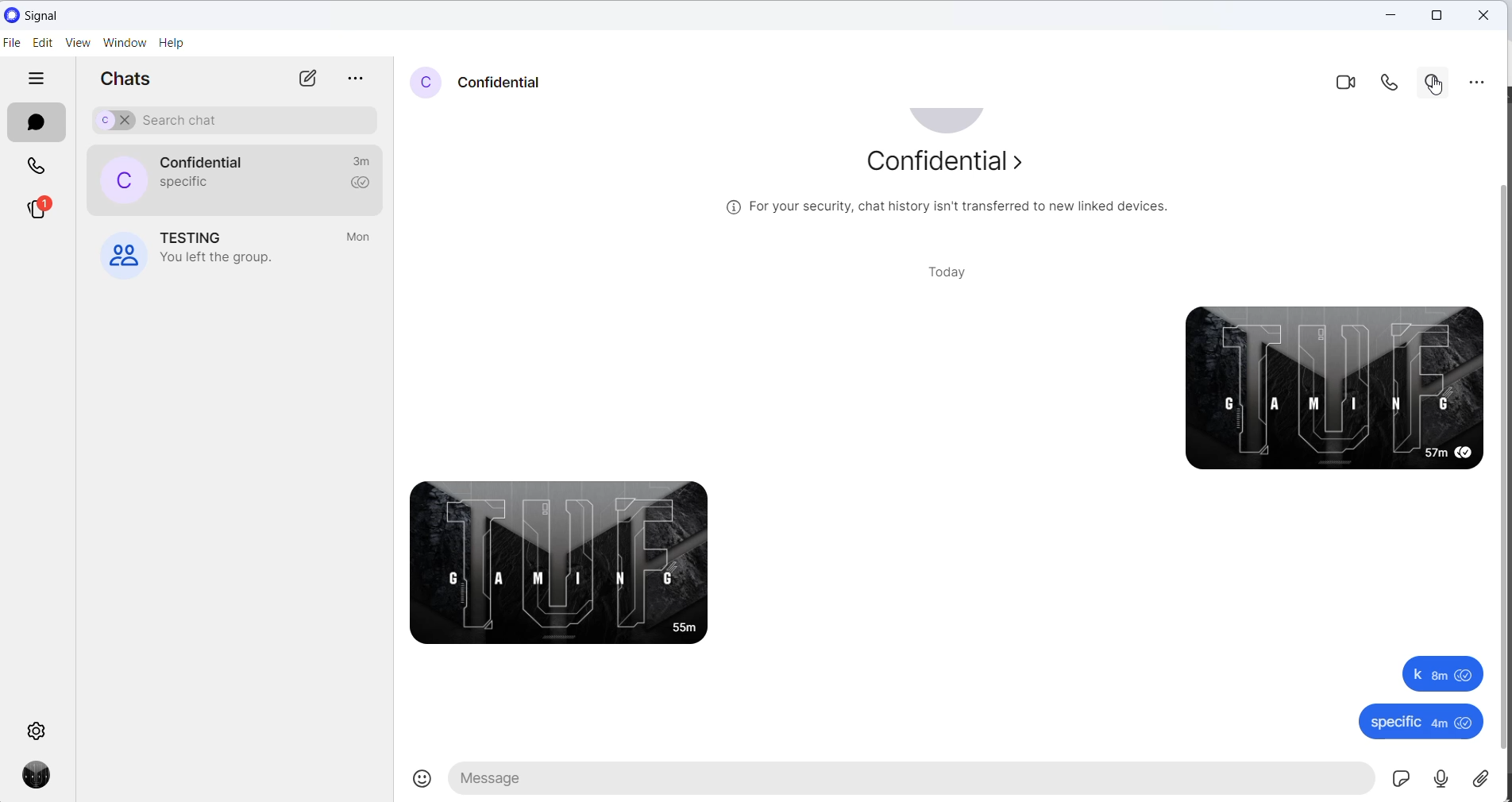 The image size is (1512, 802). What do you see at coordinates (947, 165) in the screenshot?
I see `about contact` at bounding box center [947, 165].